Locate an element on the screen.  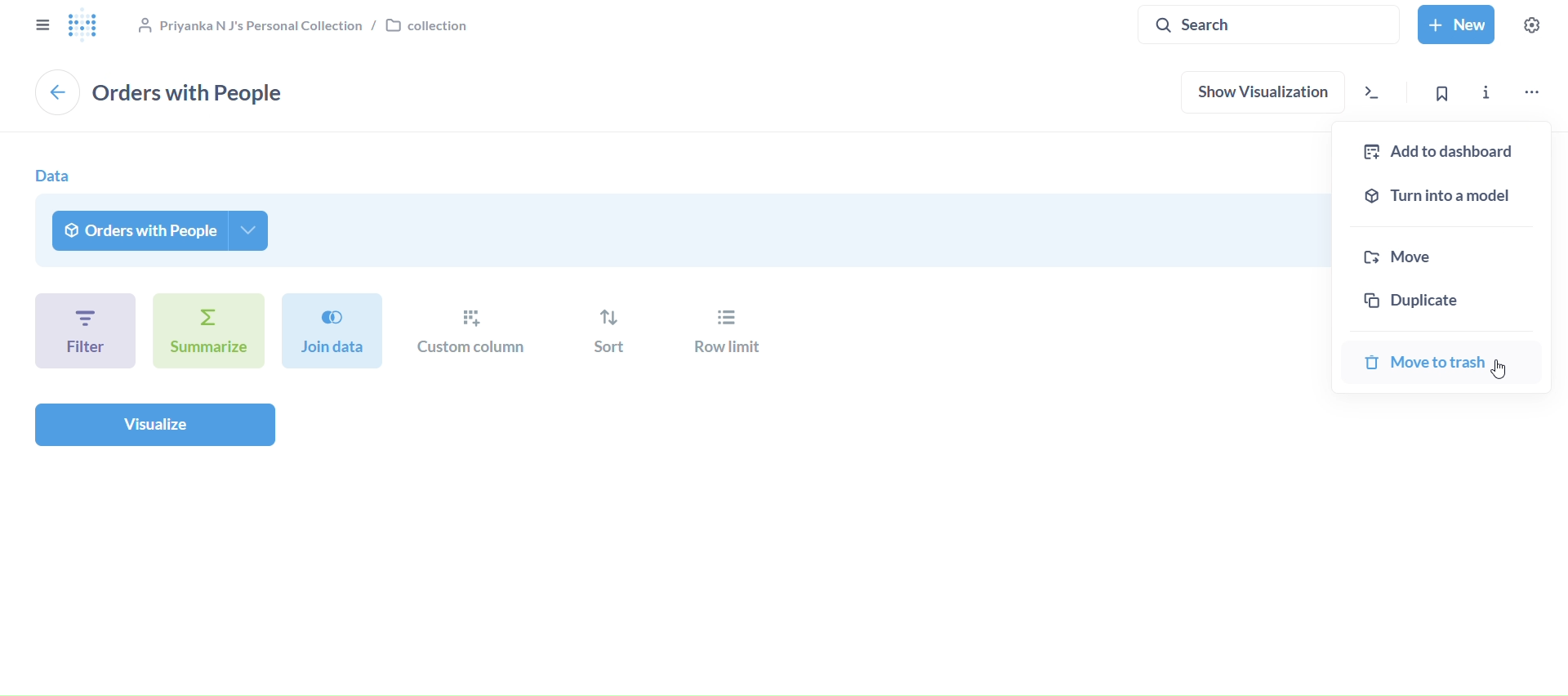
move, trash, and more is located at coordinates (1535, 92).